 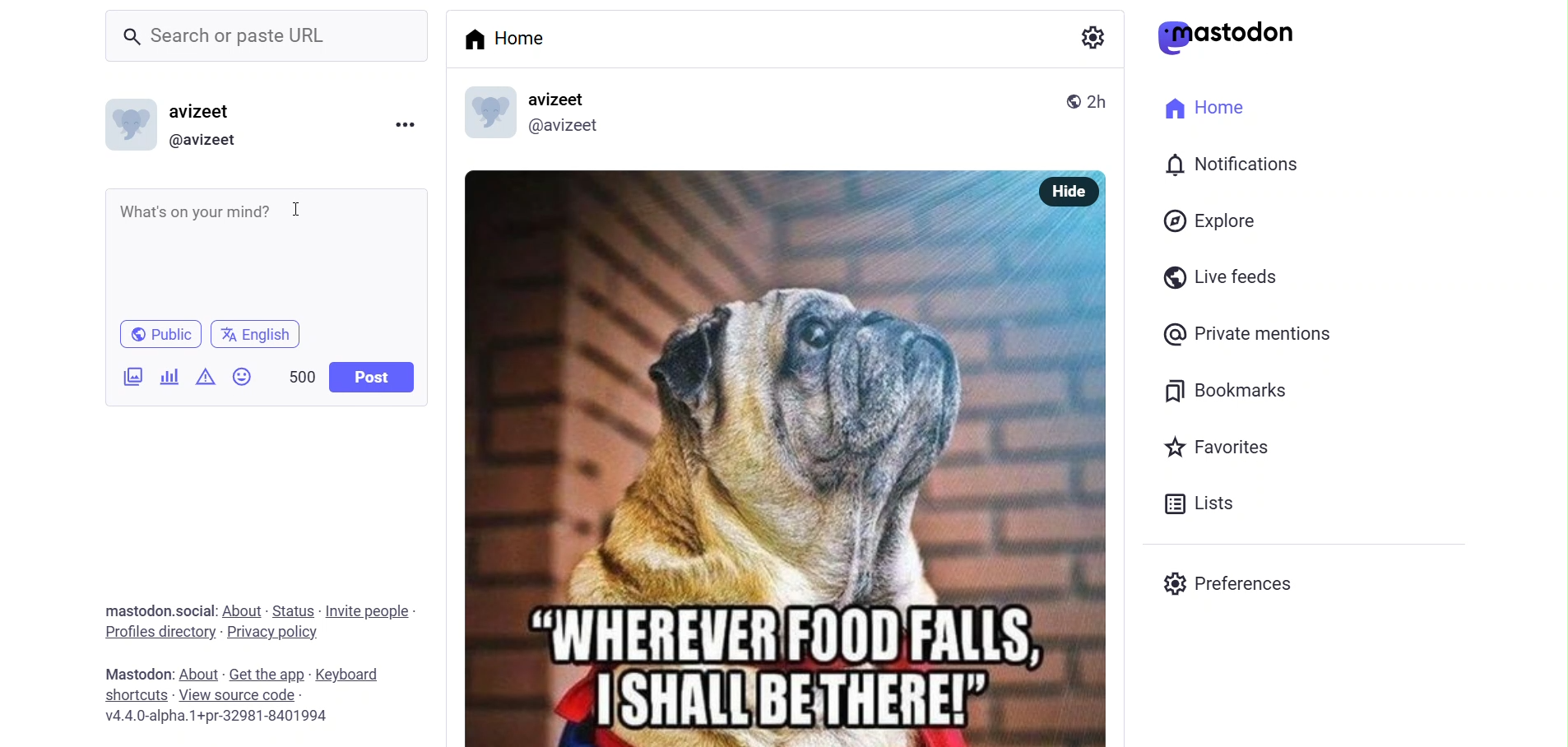 What do you see at coordinates (157, 335) in the screenshot?
I see `public` at bounding box center [157, 335].